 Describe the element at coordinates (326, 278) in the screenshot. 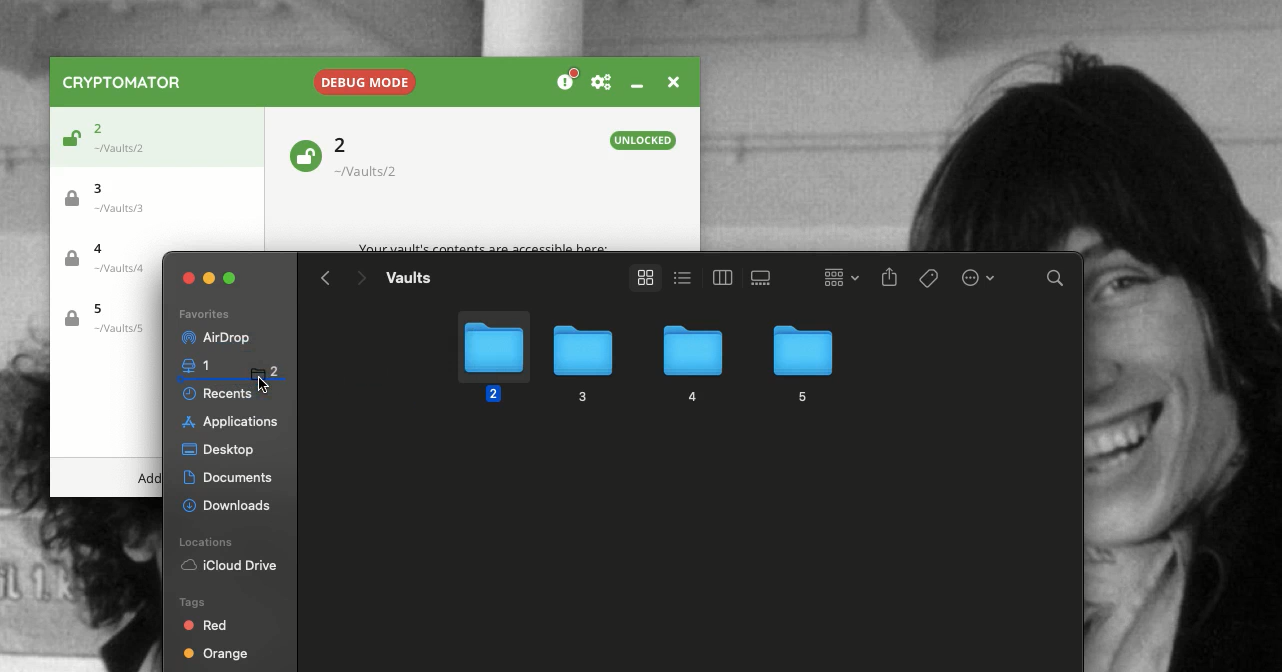

I see `Back` at that location.